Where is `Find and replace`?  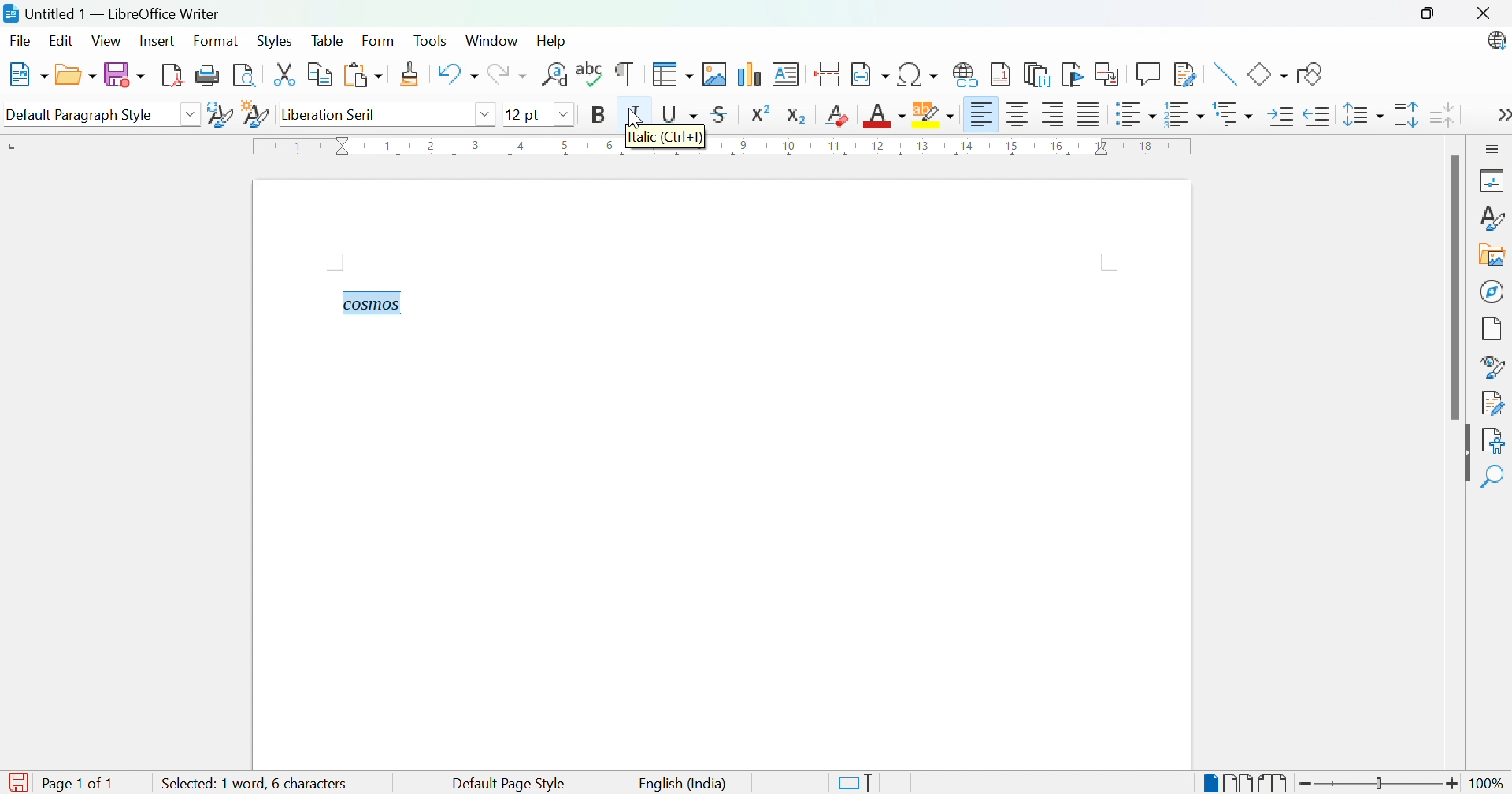
Find and replace is located at coordinates (555, 76).